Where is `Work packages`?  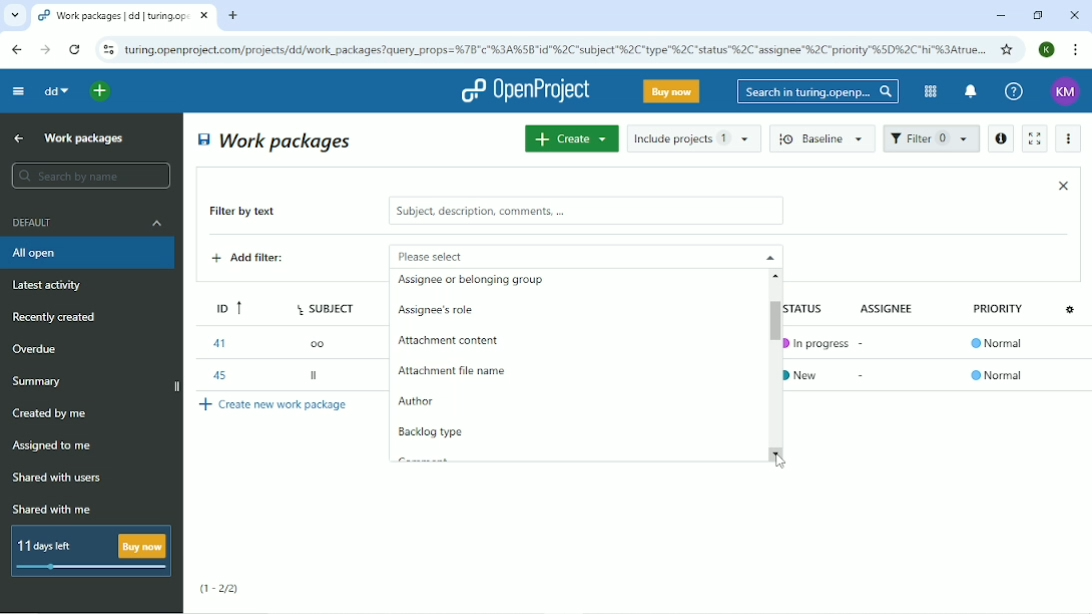
Work packages is located at coordinates (85, 137).